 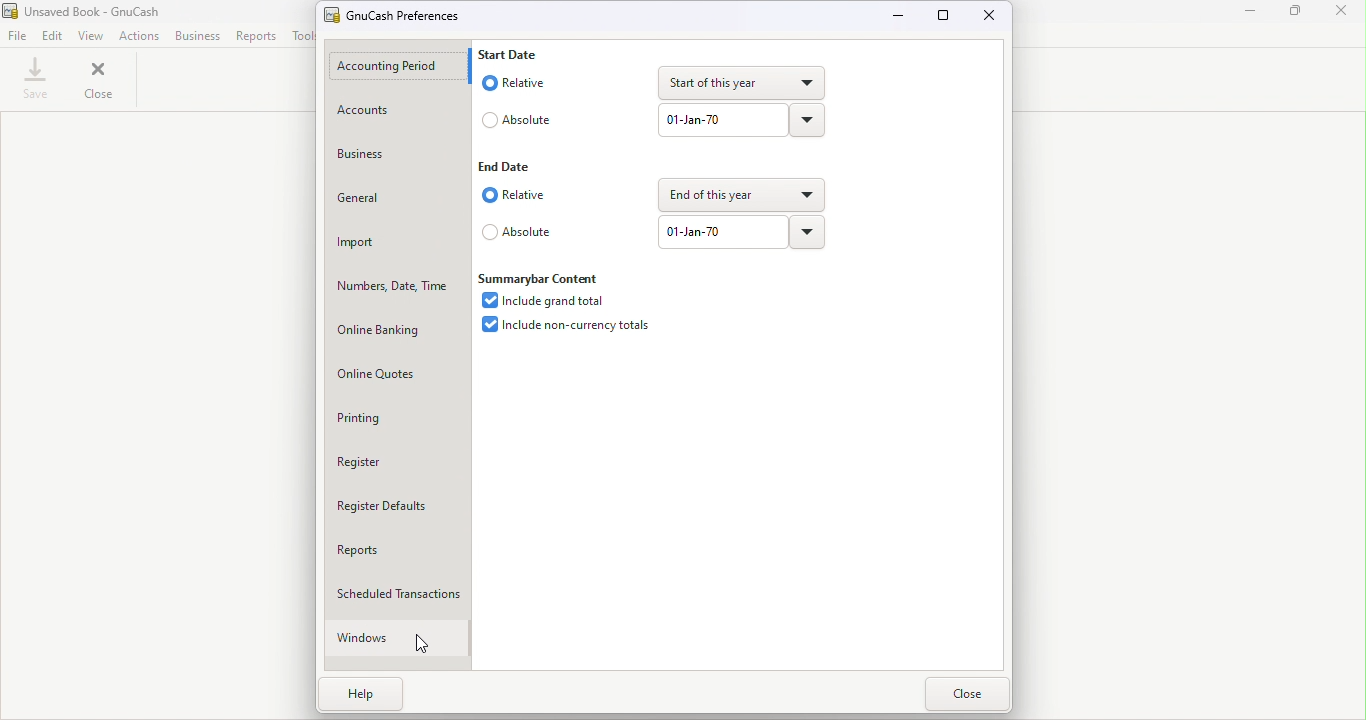 What do you see at coordinates (93, 36) in the screenshot?
I see `View` at bounding box center [93, 36].